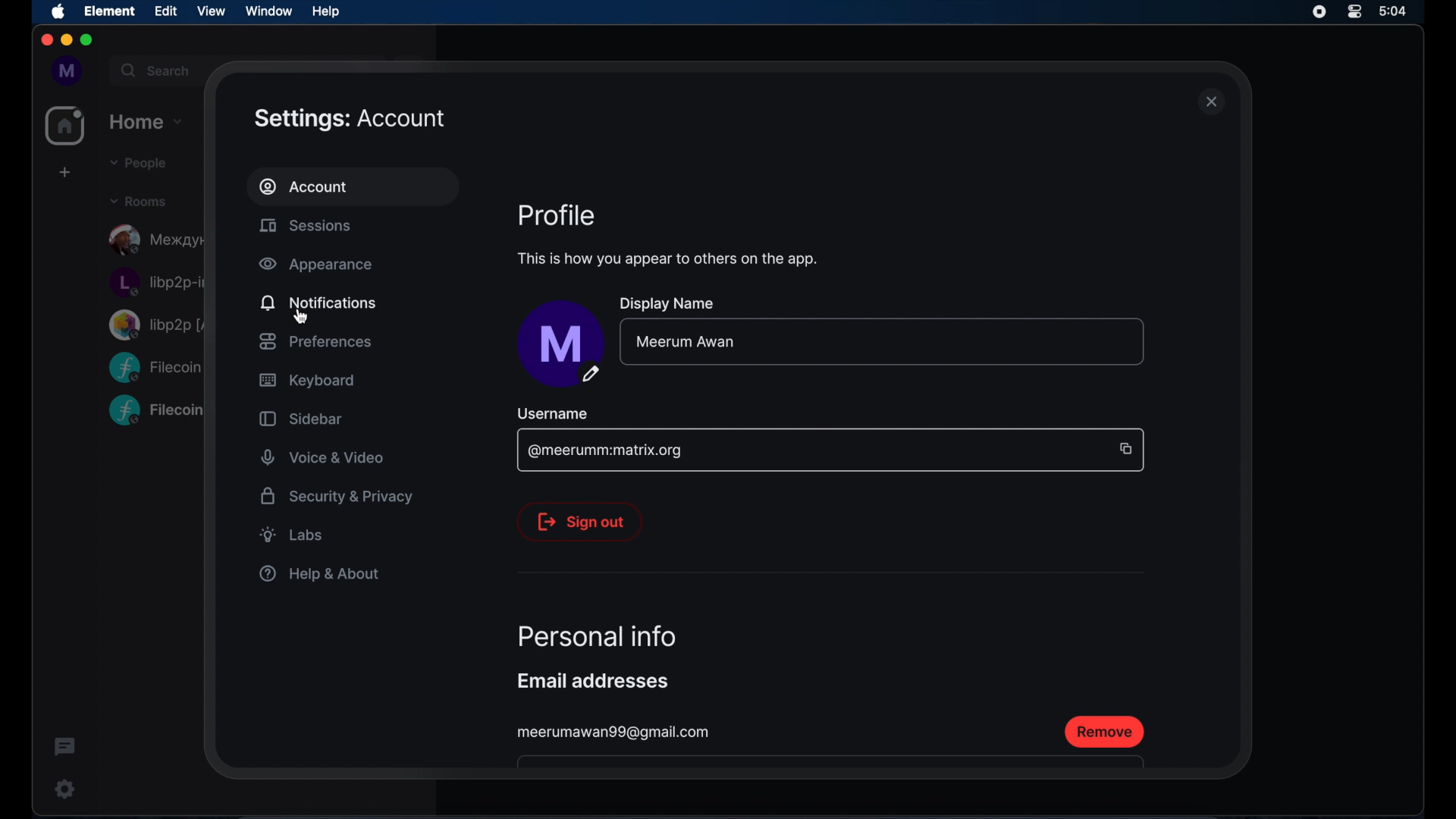  I want to click on help, so click(325, 11).